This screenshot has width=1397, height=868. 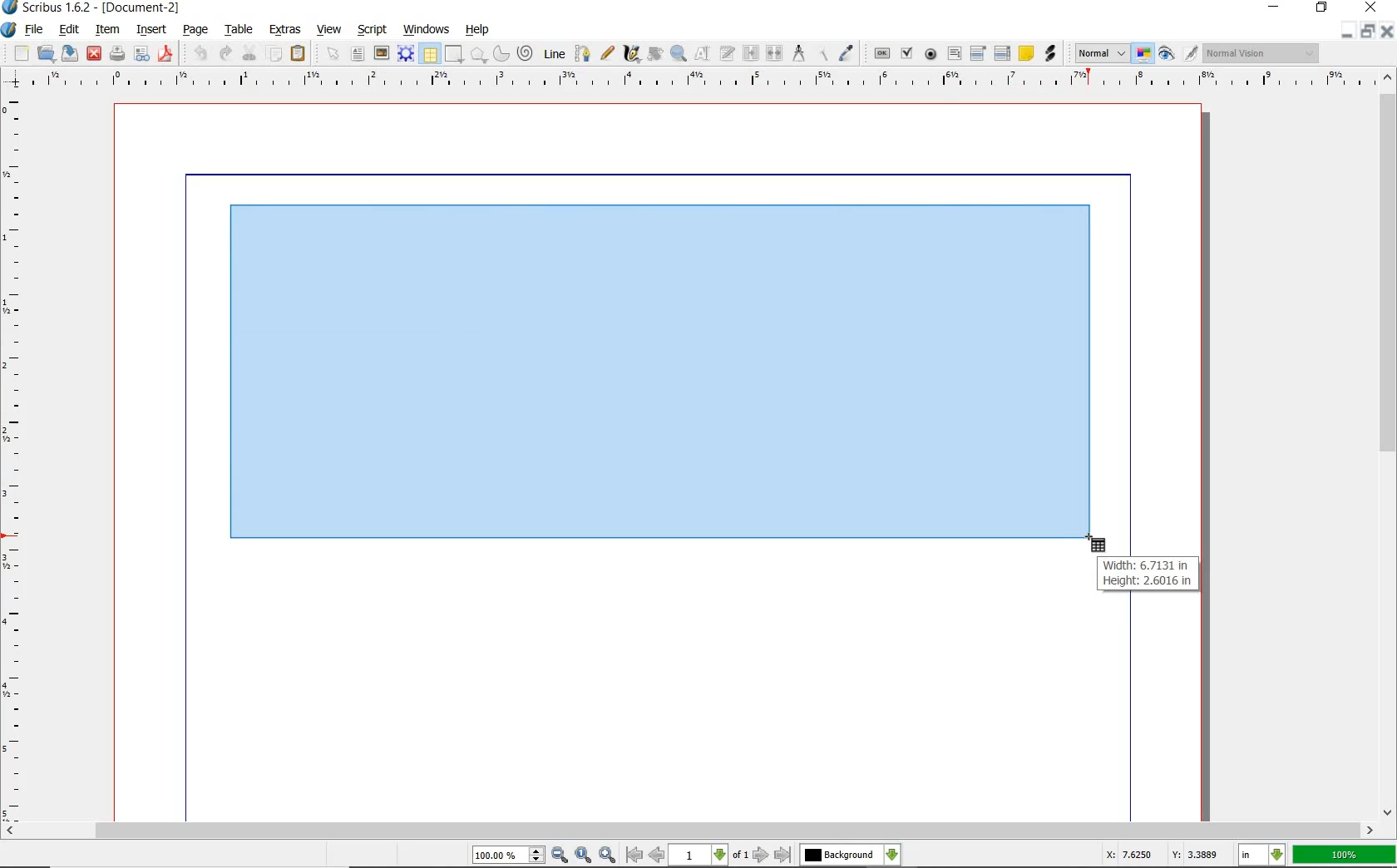 I want to click on edit contents of frame, so click(x=699, y=55).